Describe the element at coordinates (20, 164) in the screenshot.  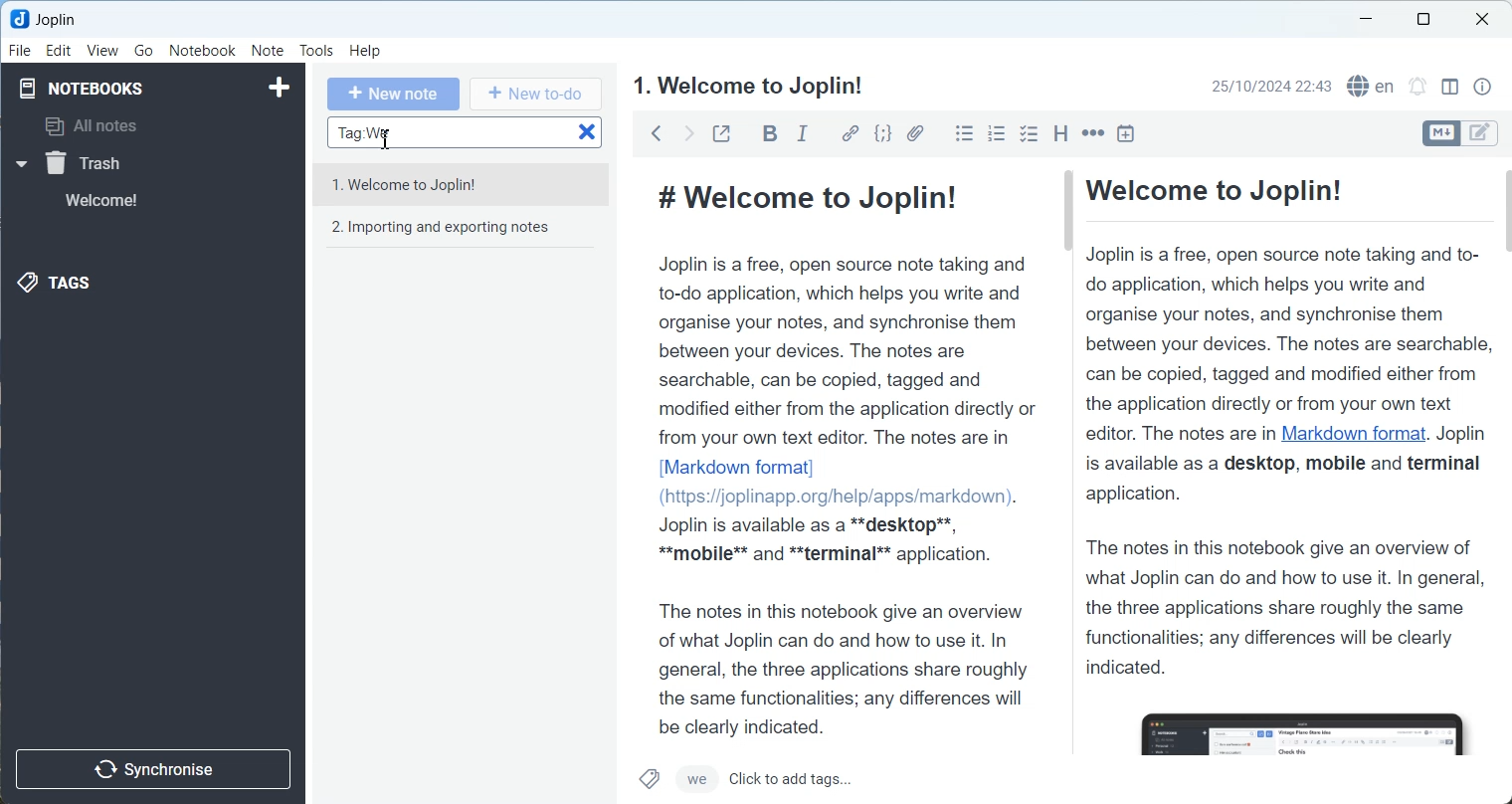
I see `Drop down box` at that location.